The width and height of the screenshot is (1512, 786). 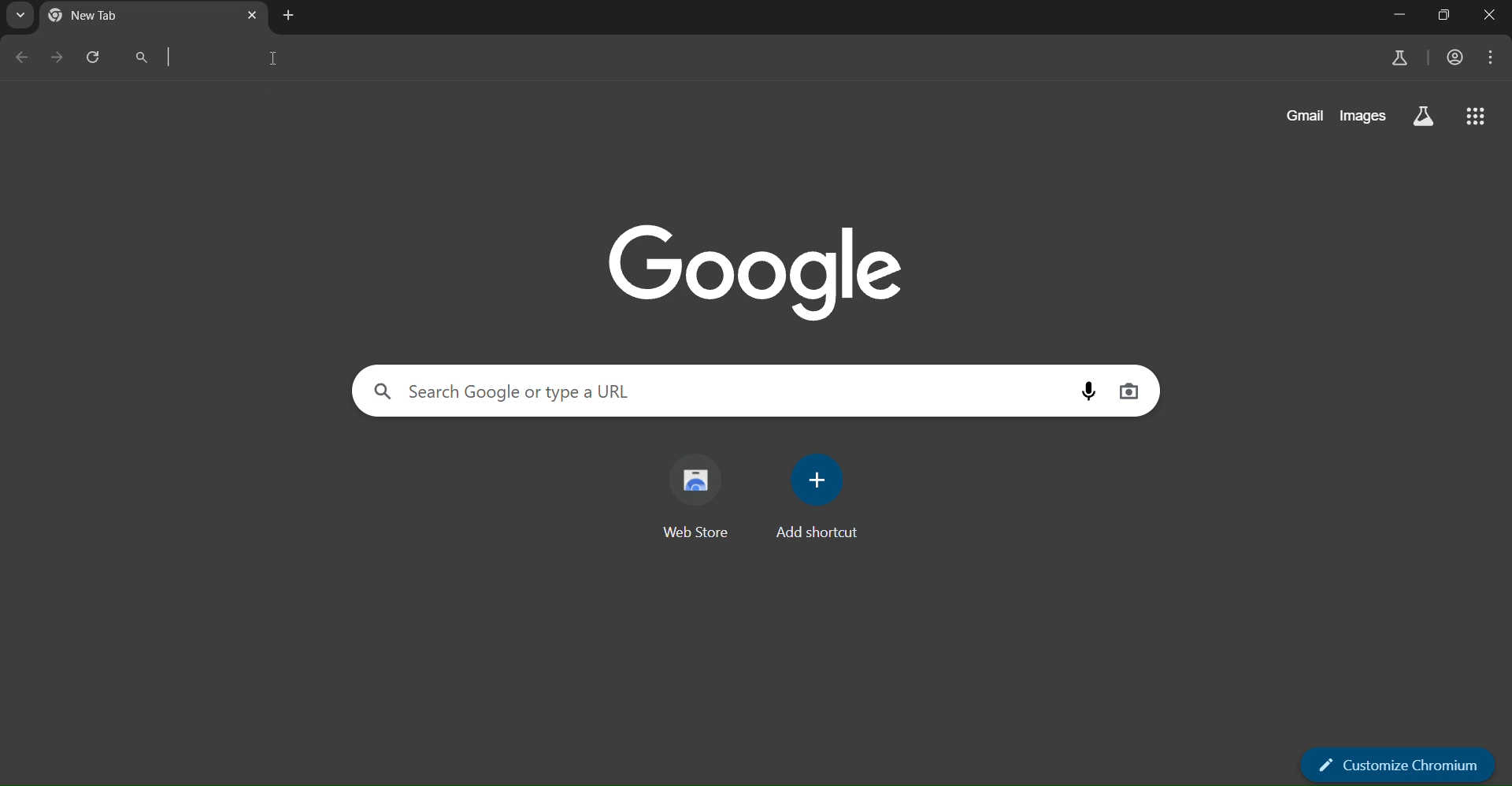 What do you see at coordinates (1366, 117) in the screenshot?
I see `images` at bounding box center [1366, 117].